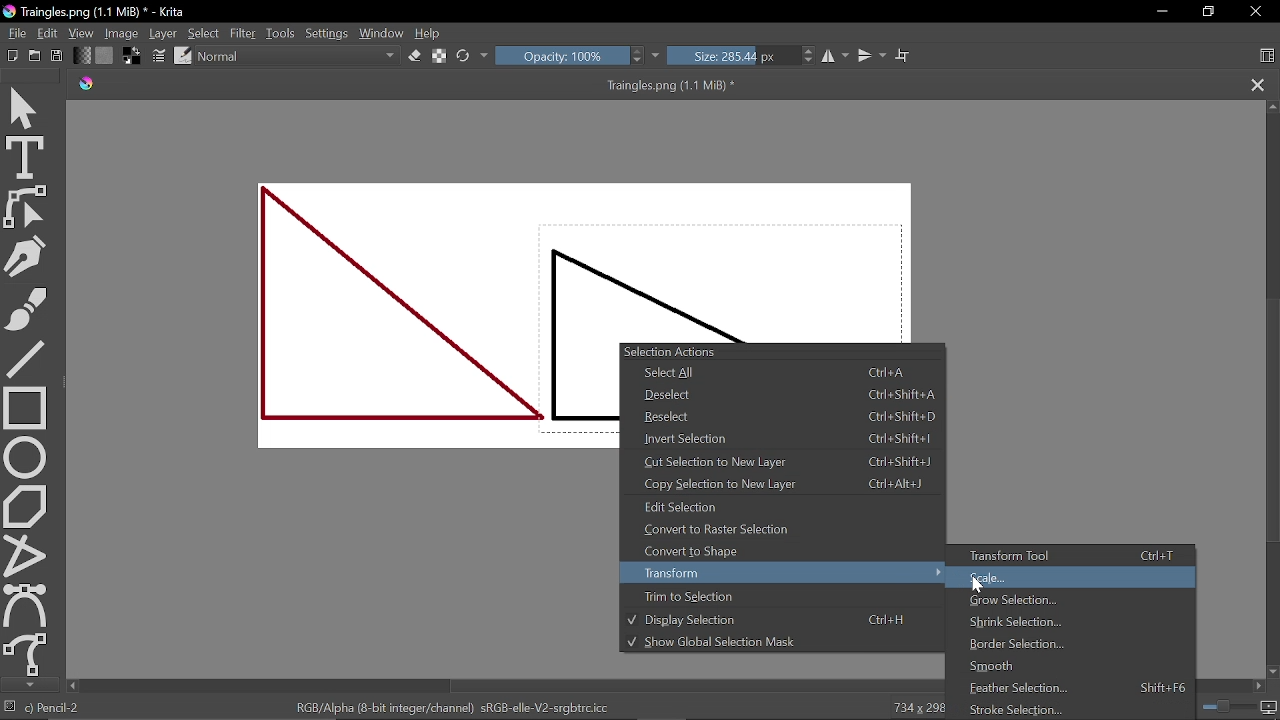 The width and height of the screenshot is (1280, 720). Describe the element at coordinates (1068, 580) in the screenshot. I see `Scale` at that location.